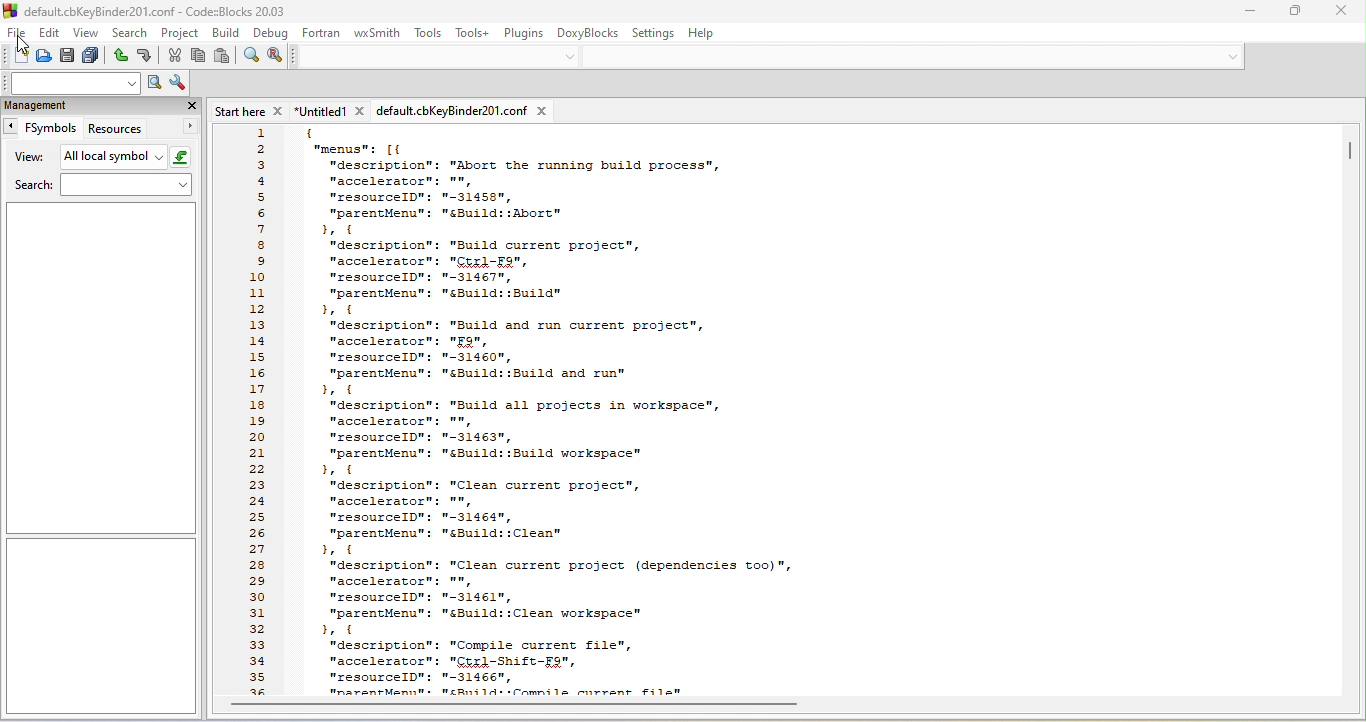  What do you see at coordinates (272, 32) in the screenshot?
I see `debug` at bounding box center [272, 32].